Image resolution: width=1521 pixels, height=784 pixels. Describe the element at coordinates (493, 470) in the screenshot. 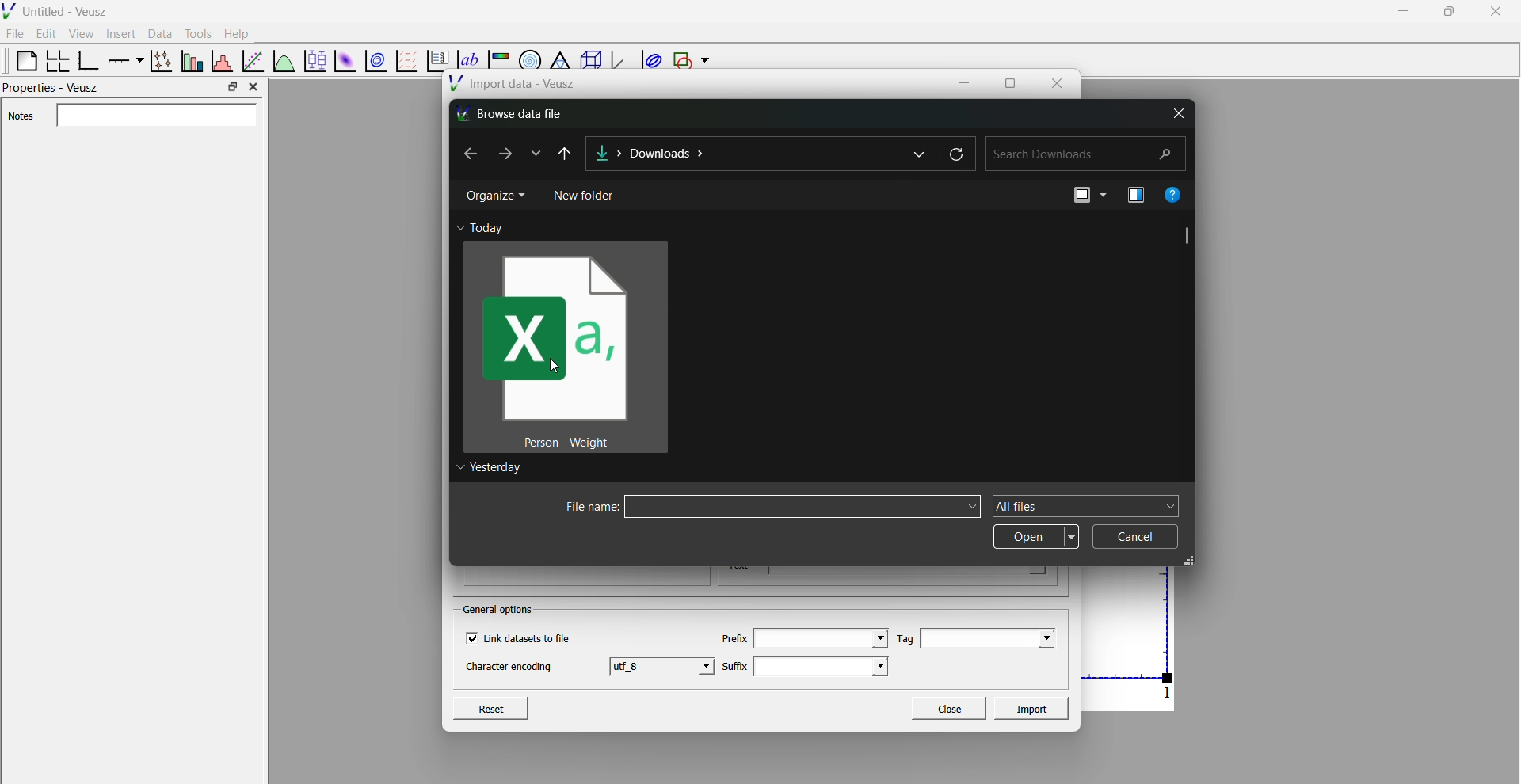

I see `yESTERDAY` at that location.